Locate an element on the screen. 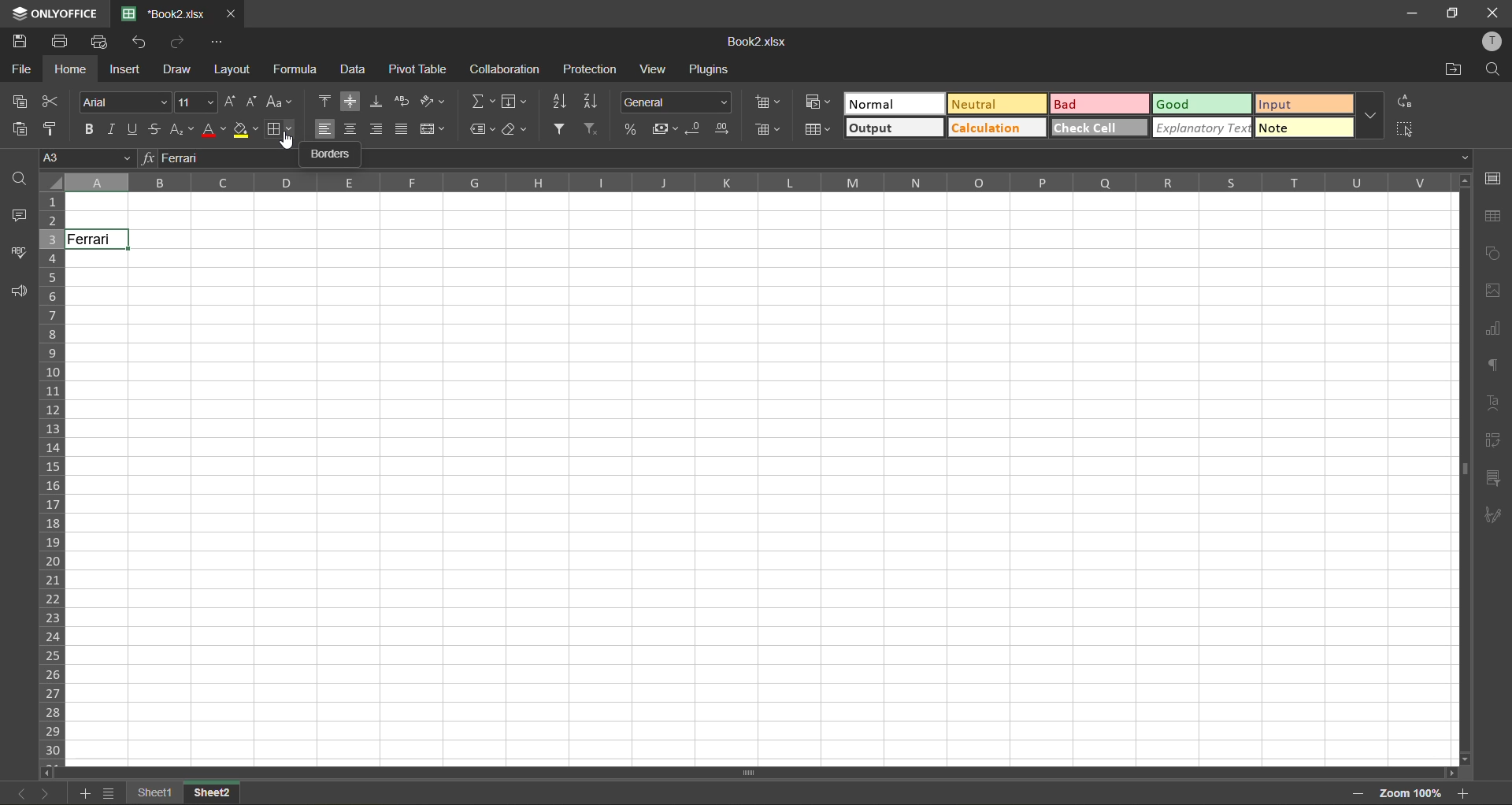 The height and width of the screenshot is (805, 1512). scroll right is located at coordinates (1449, 773).